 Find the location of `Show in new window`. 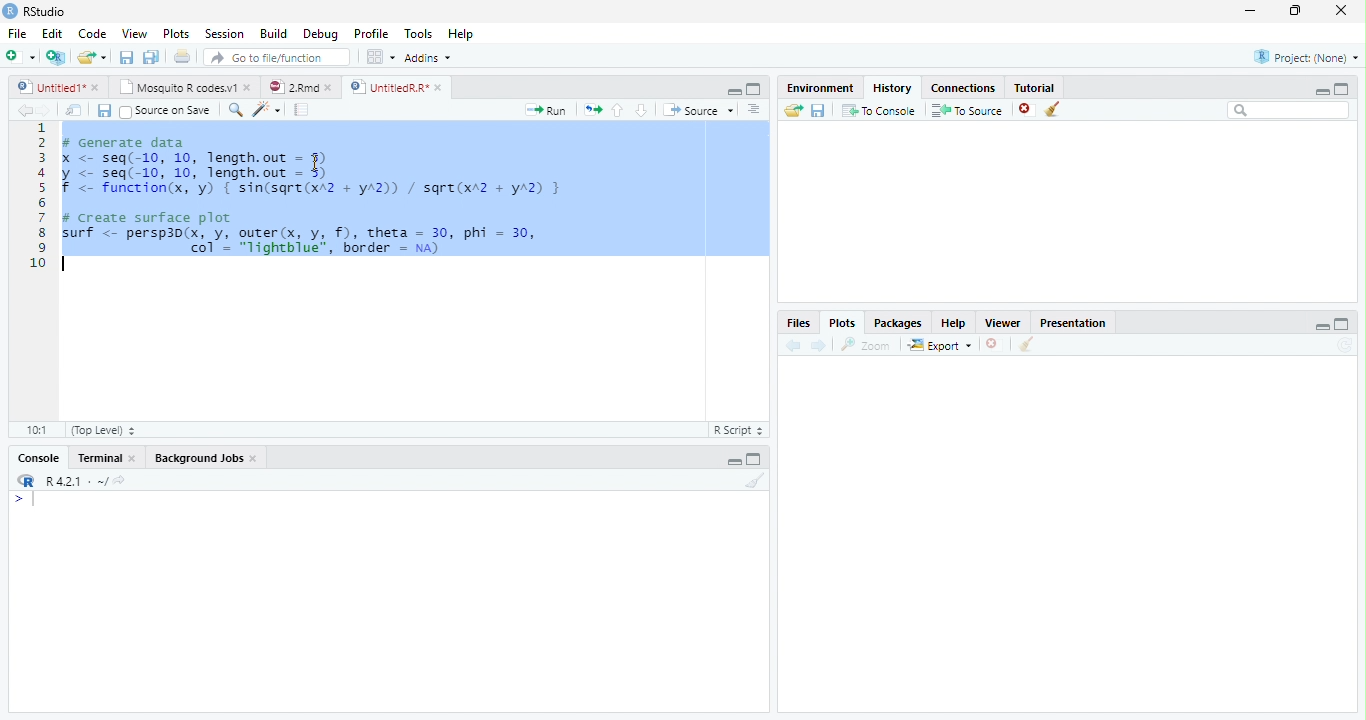

Show in new window is located at coordinates (73, 110).